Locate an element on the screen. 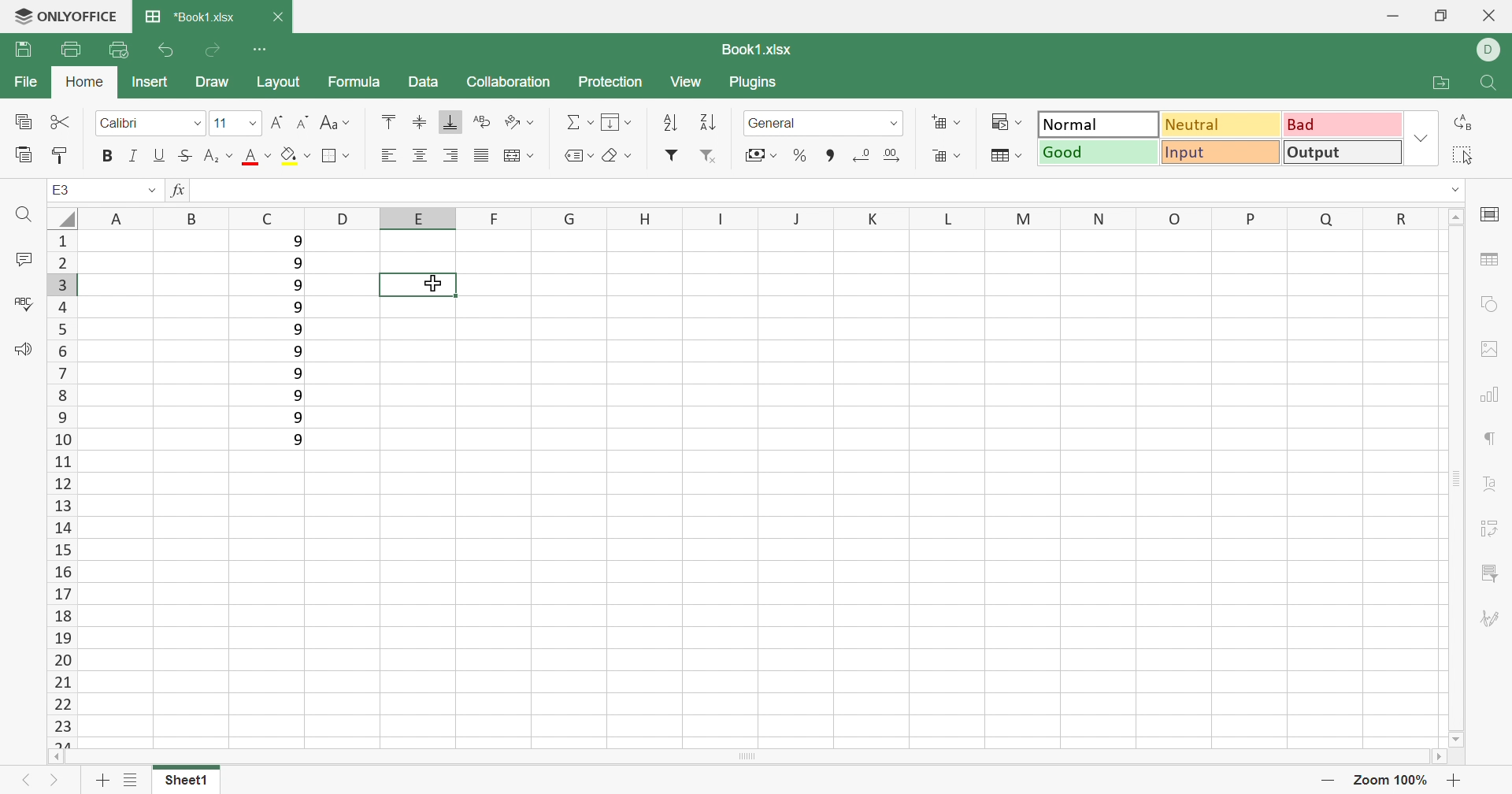  Calibri is located at coordinates (124, 124).